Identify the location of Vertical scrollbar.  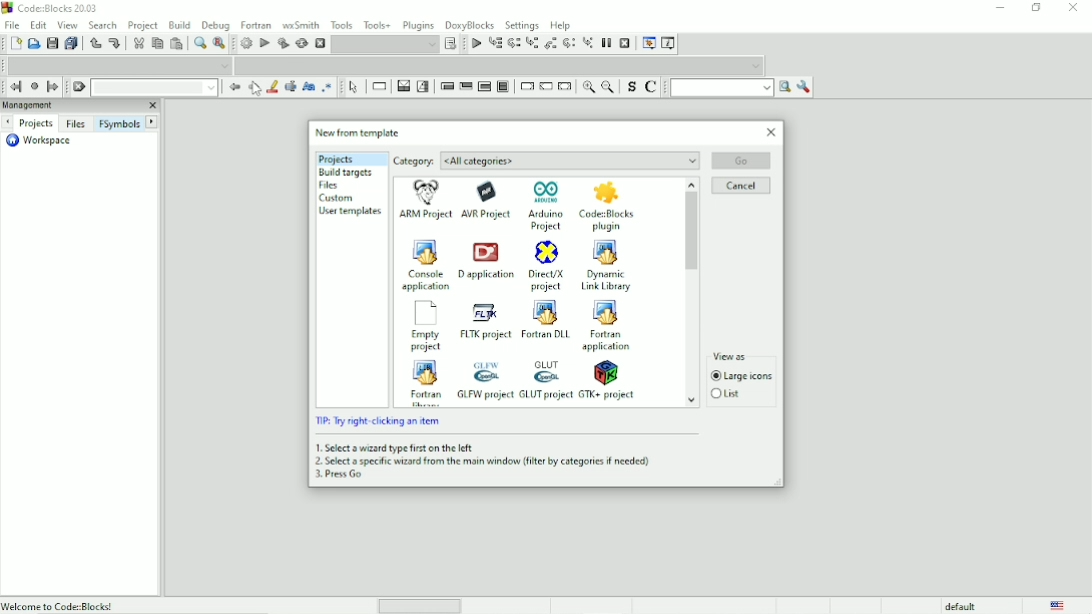
(691, 293).